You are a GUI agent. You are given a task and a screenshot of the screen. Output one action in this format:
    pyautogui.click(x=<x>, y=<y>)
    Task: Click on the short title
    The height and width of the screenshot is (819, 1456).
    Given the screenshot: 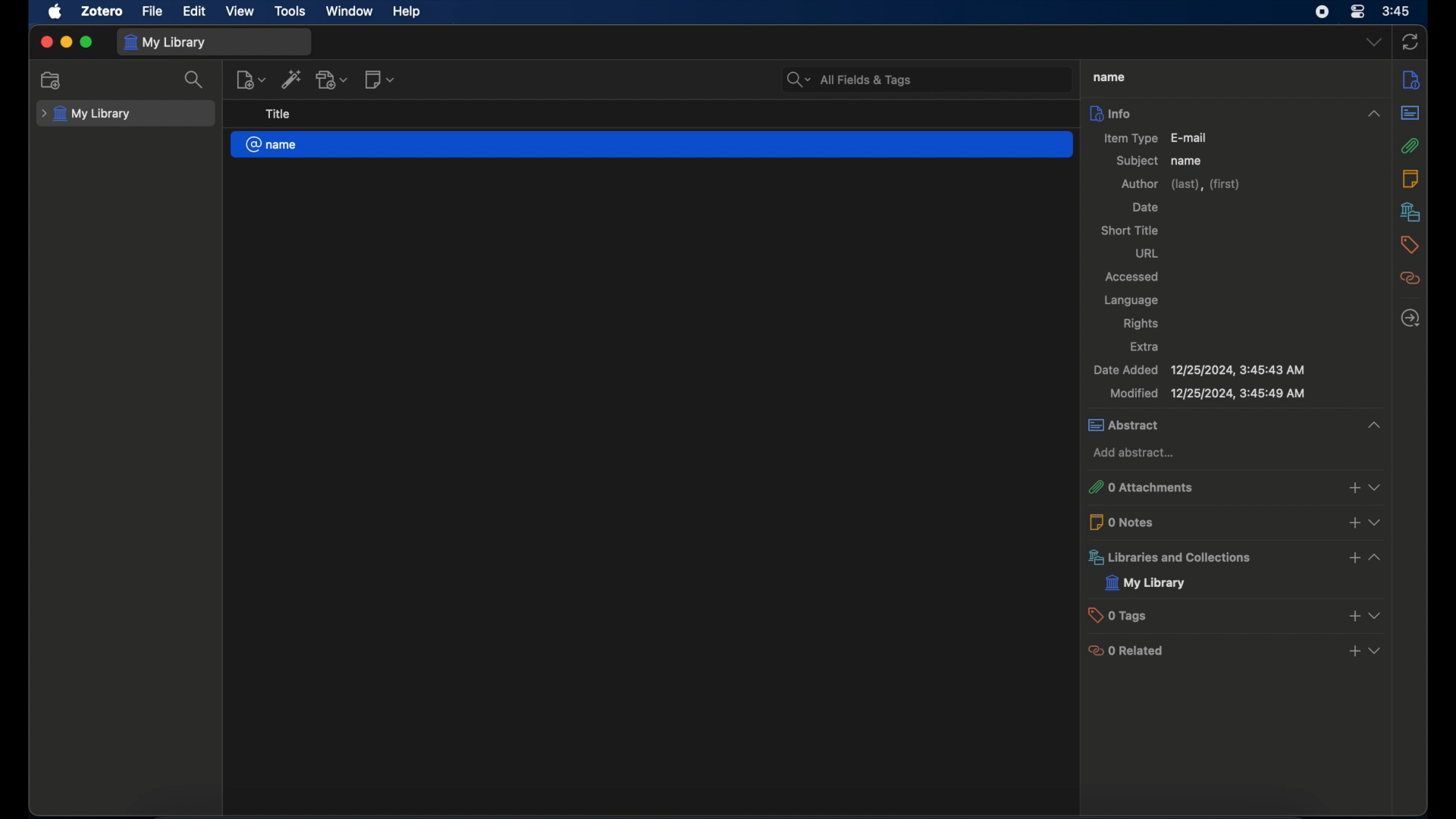 What is the action you would take?
    pyautogui.click(x=1130, y=230)
    